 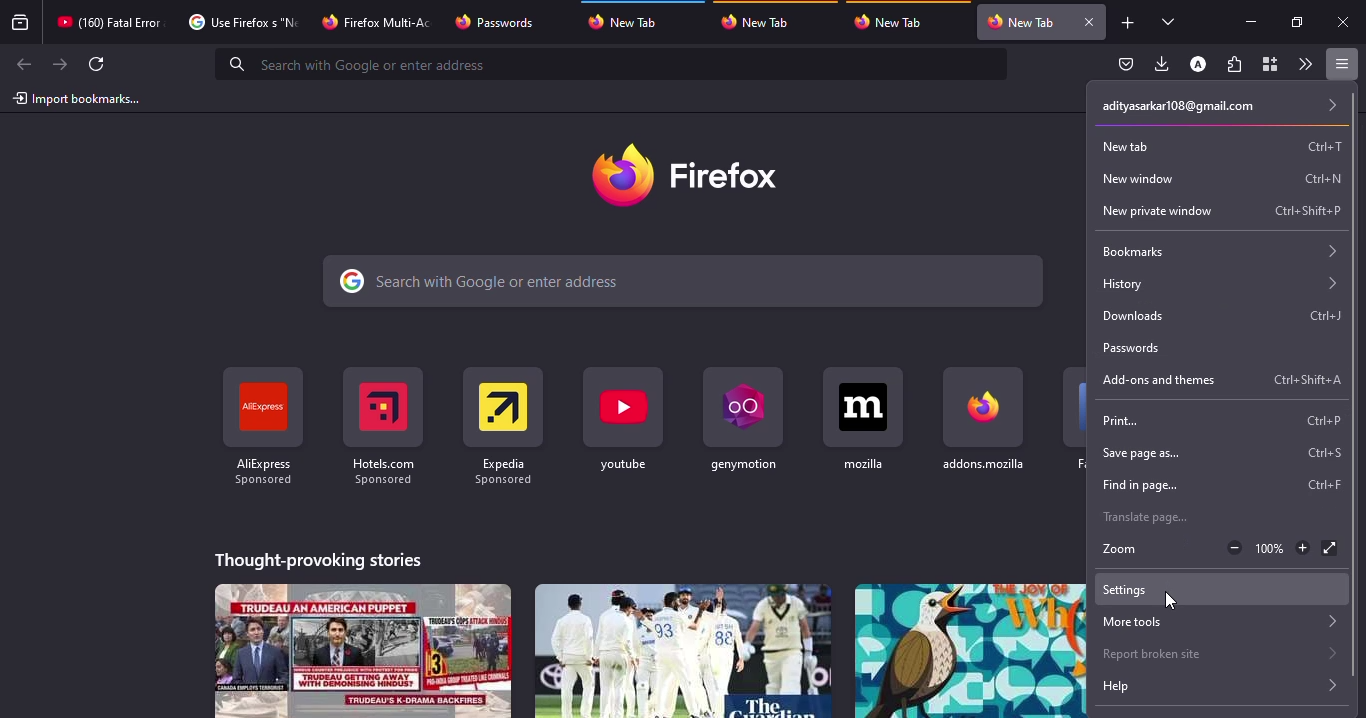 What do you see at coordinates (1234, 66) in the screenshot?
I see `extensions` at bounding box center [1234, 66].